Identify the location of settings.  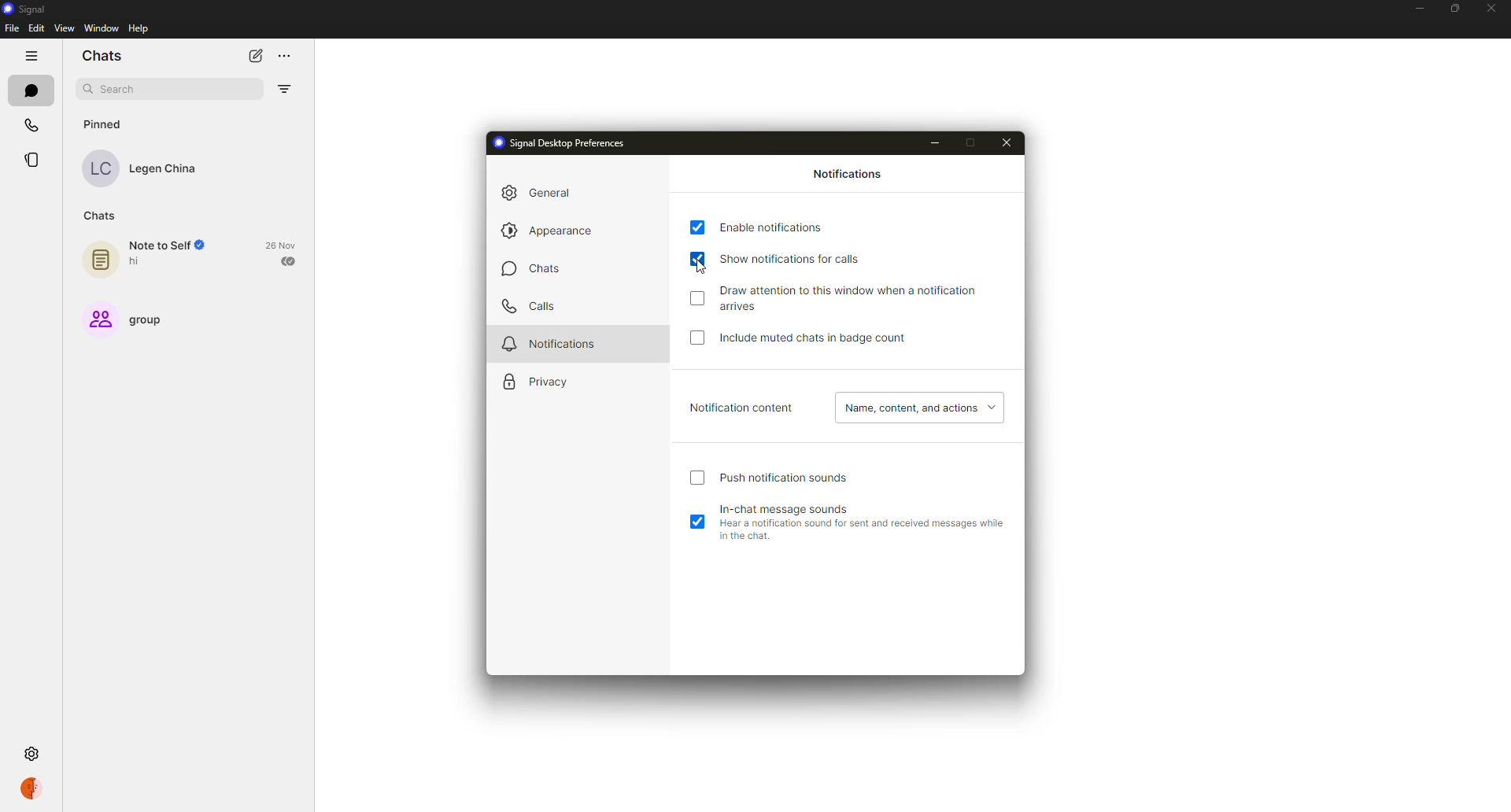
(31, 753).